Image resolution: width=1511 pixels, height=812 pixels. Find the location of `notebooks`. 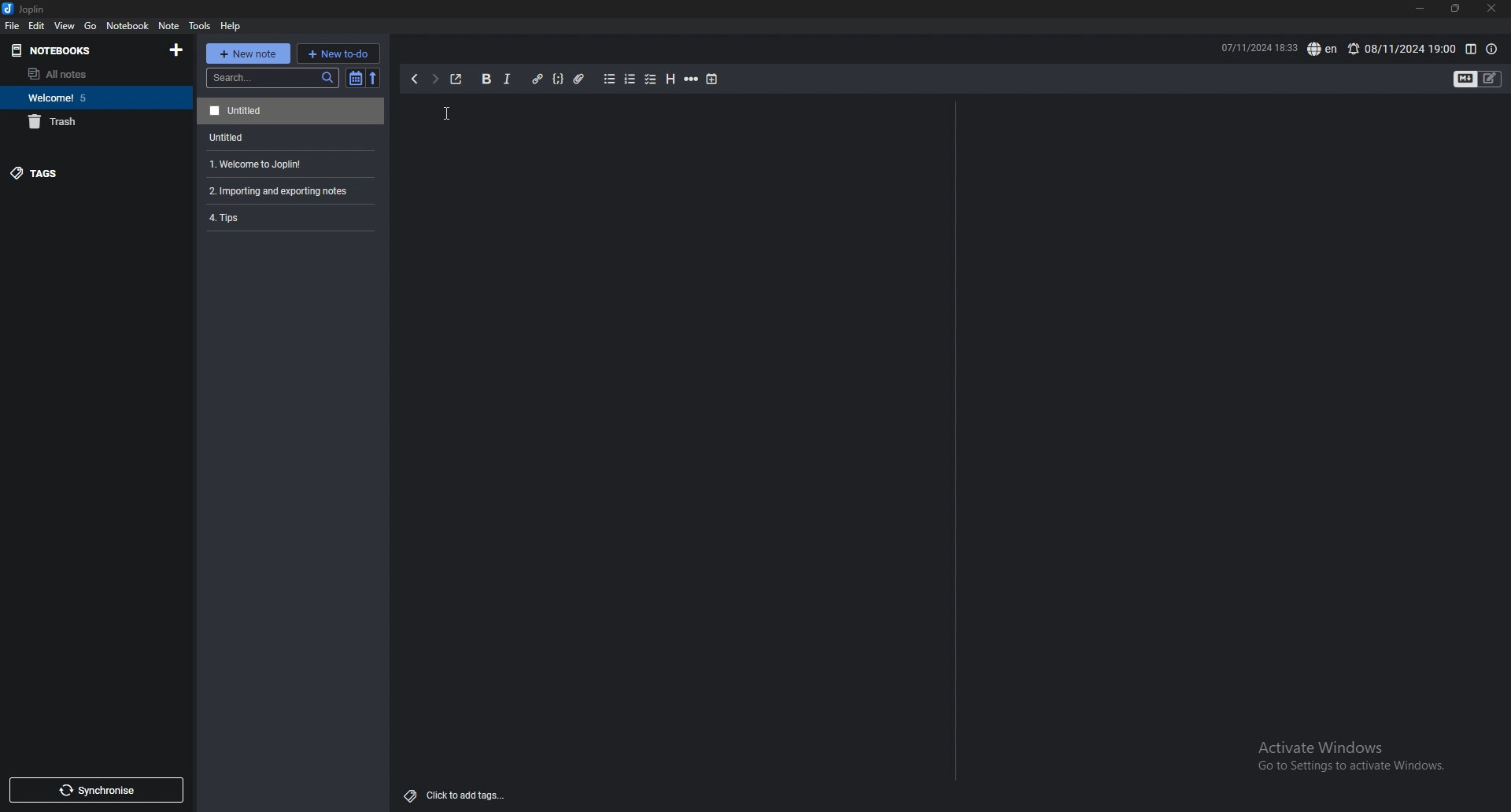

notebooks is located at coordinates (72, 51).